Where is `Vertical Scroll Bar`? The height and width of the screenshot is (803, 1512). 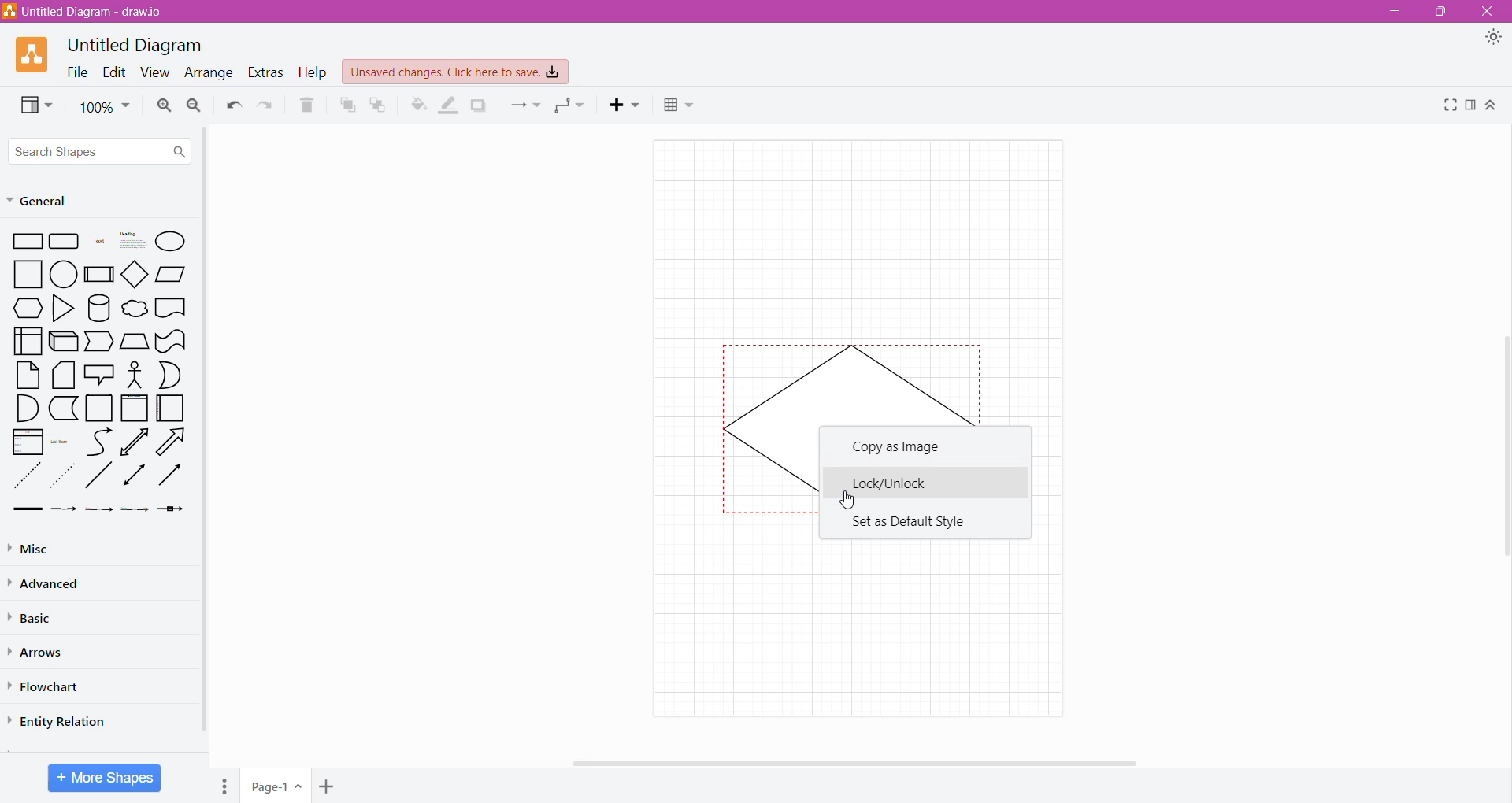
Vertical Scroll Bar is located at coordinates (1502, 439).